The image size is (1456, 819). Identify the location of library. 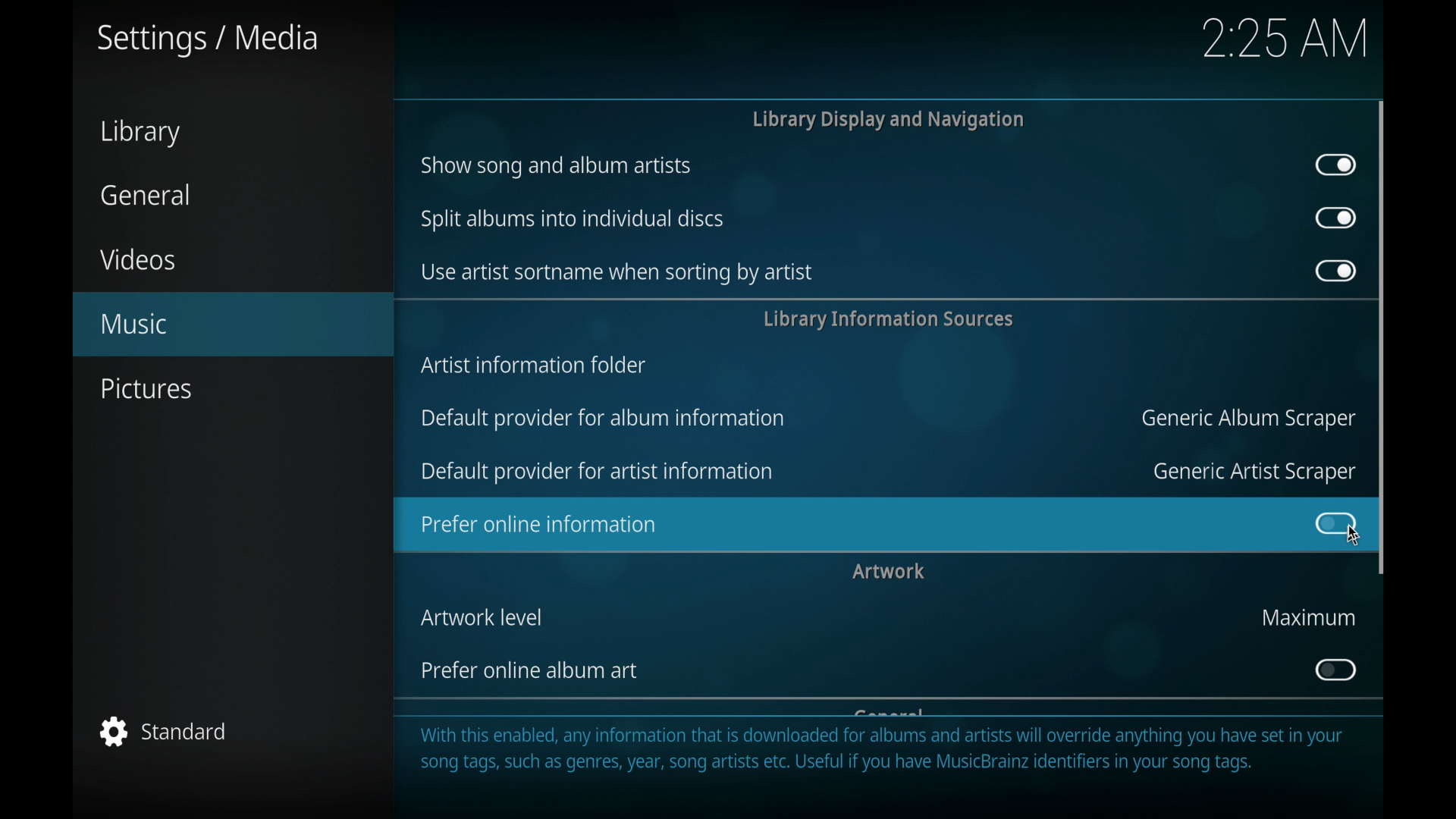
(141, 132).